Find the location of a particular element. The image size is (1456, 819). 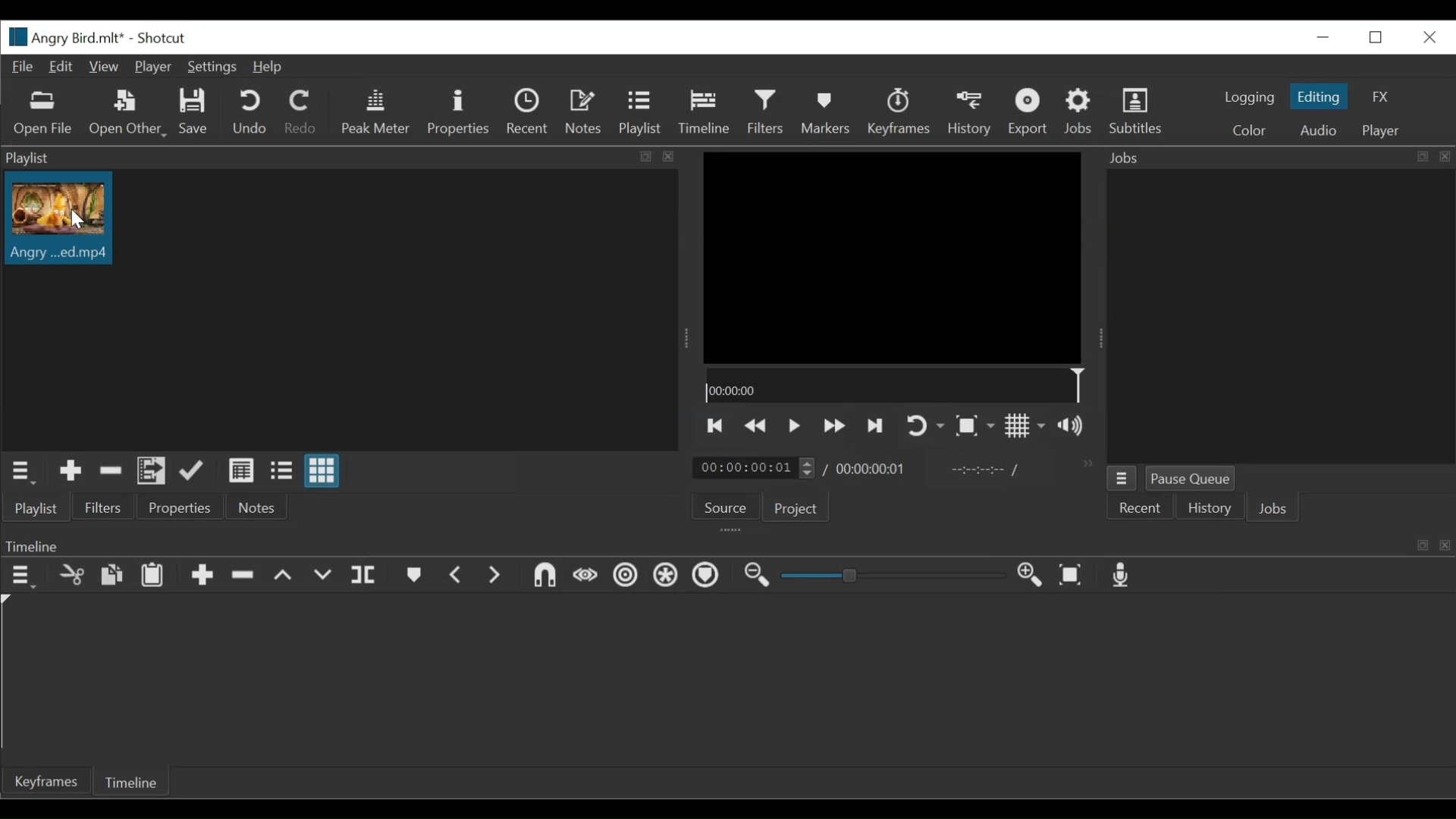

Notes is located at coordinates (586, 114).